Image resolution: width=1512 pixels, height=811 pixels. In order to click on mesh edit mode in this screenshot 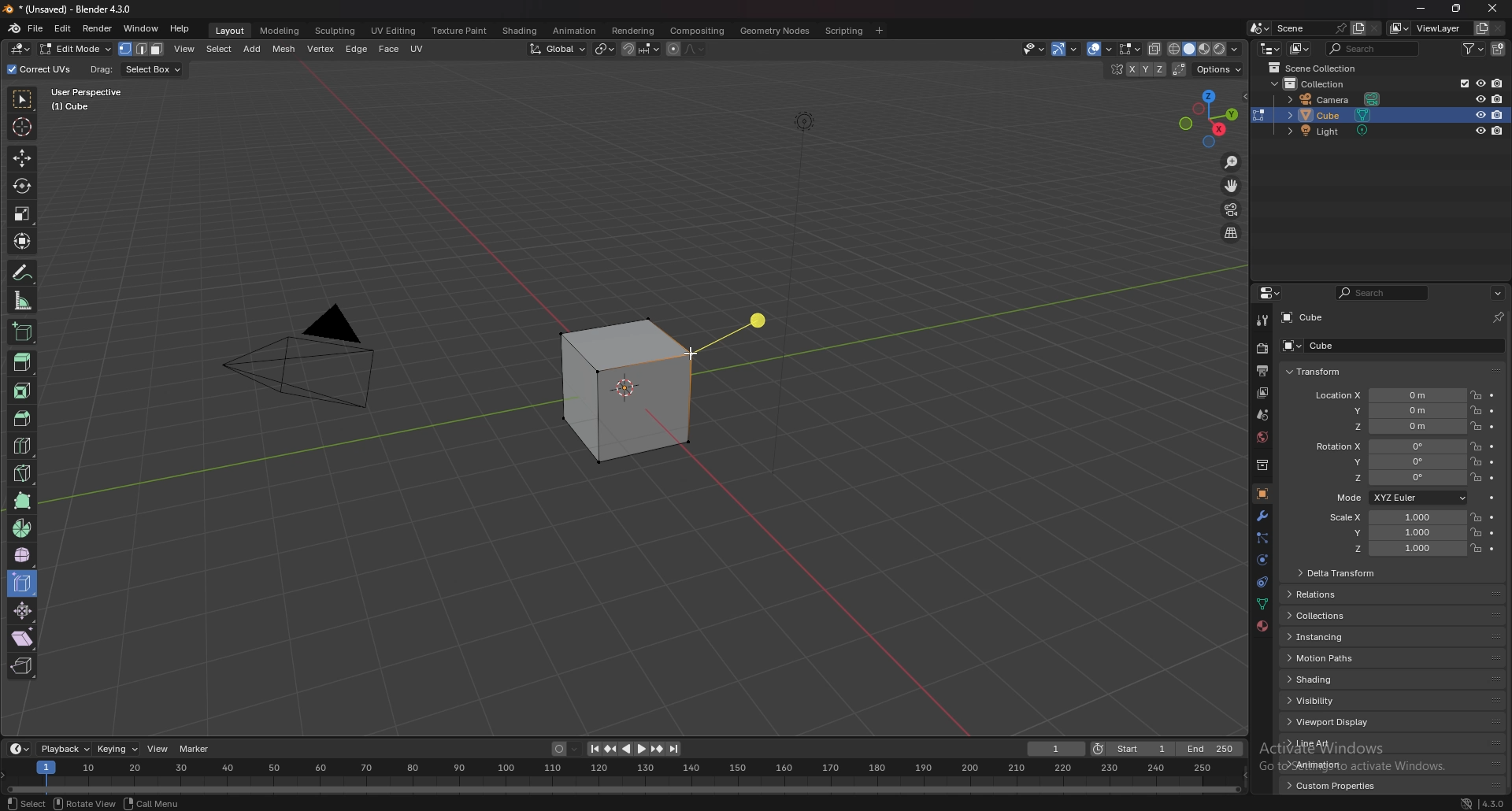, I will do `click(1128, 50)`.